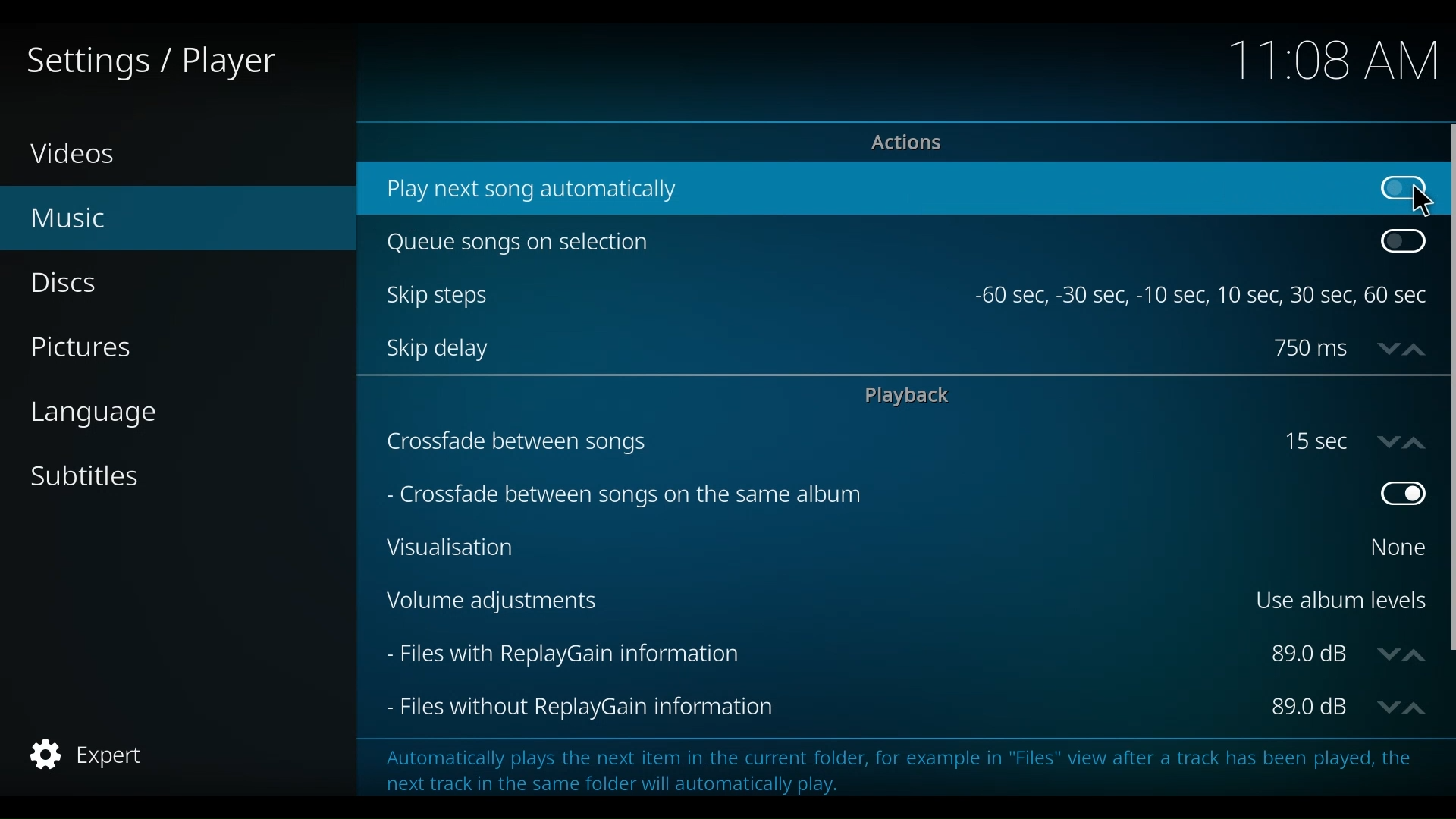 This screenshot has height=819, width=1456. Describe the element at coordinates (913, 396) in the screenshot. I see `playback` at that location.